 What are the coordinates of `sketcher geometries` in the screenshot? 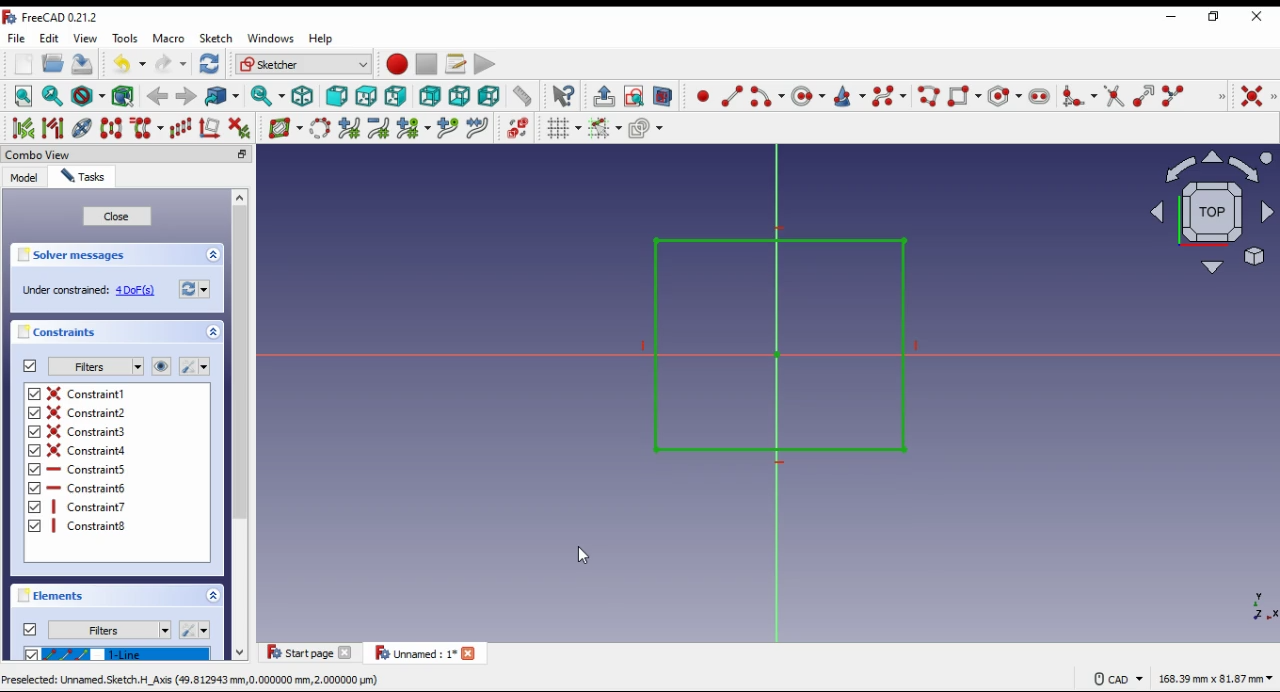 It's located at (1221, 95).